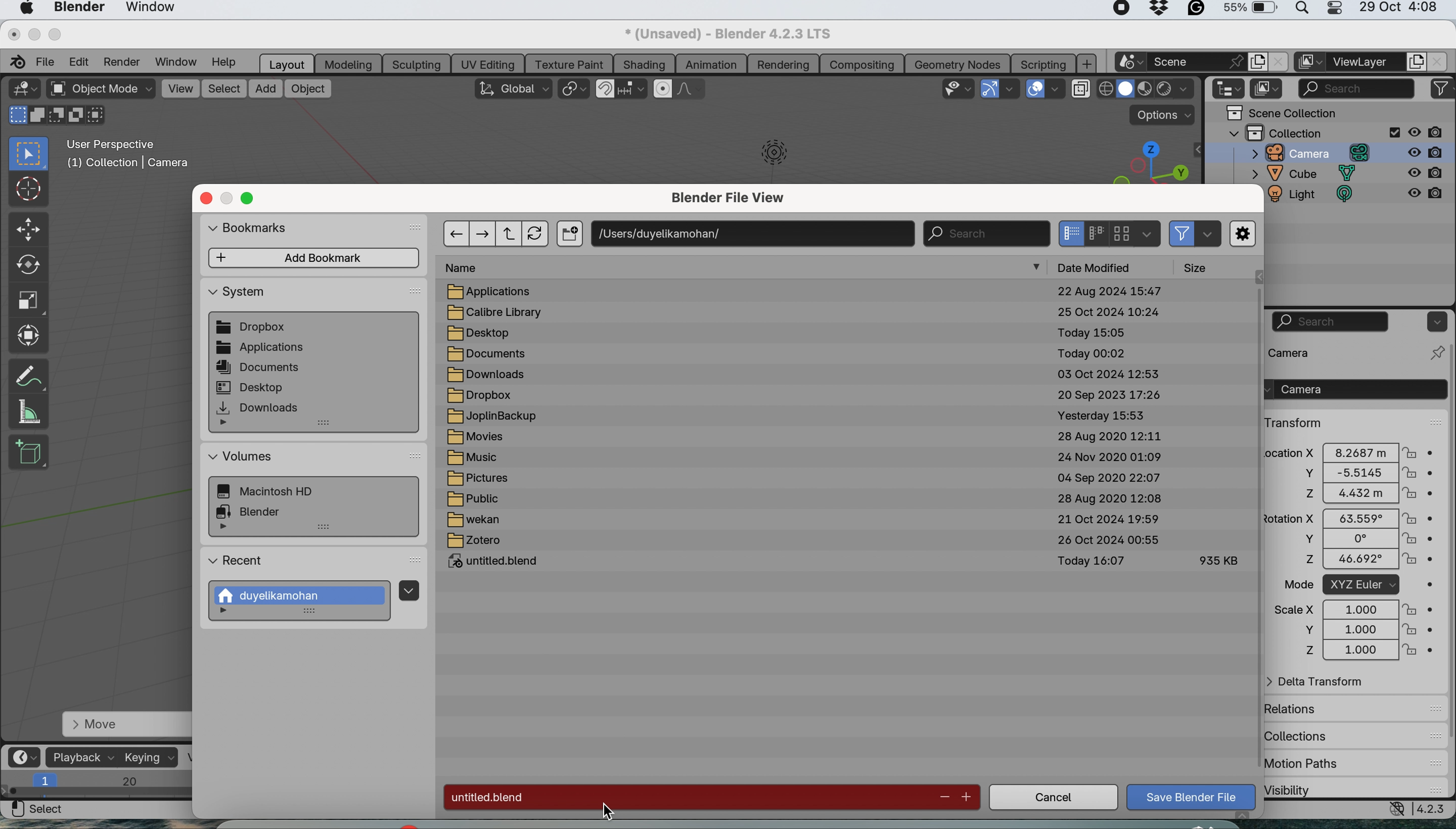 Image resolution: width=1456 pixels, height=829 pixels. What do you see at coordinates (1038, 268) in the screenshot?
I see `more` at bounding box center [1038, 268].